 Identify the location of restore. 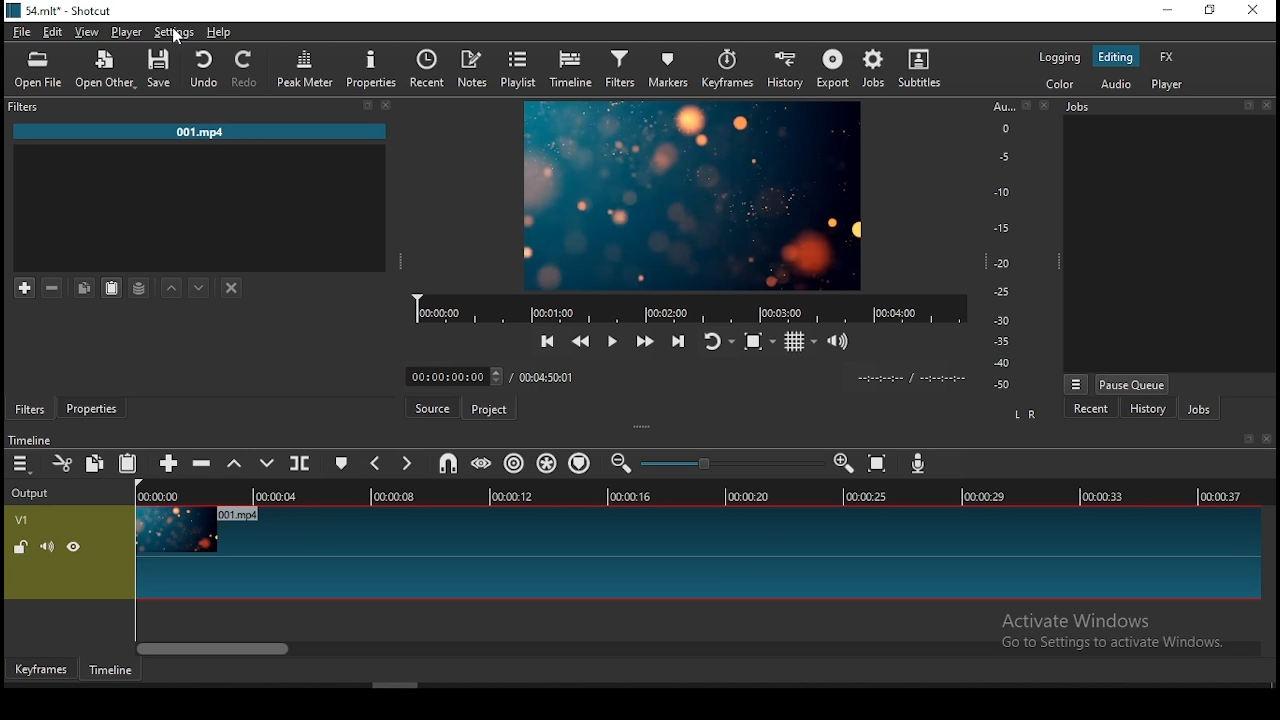
(1026, 106).